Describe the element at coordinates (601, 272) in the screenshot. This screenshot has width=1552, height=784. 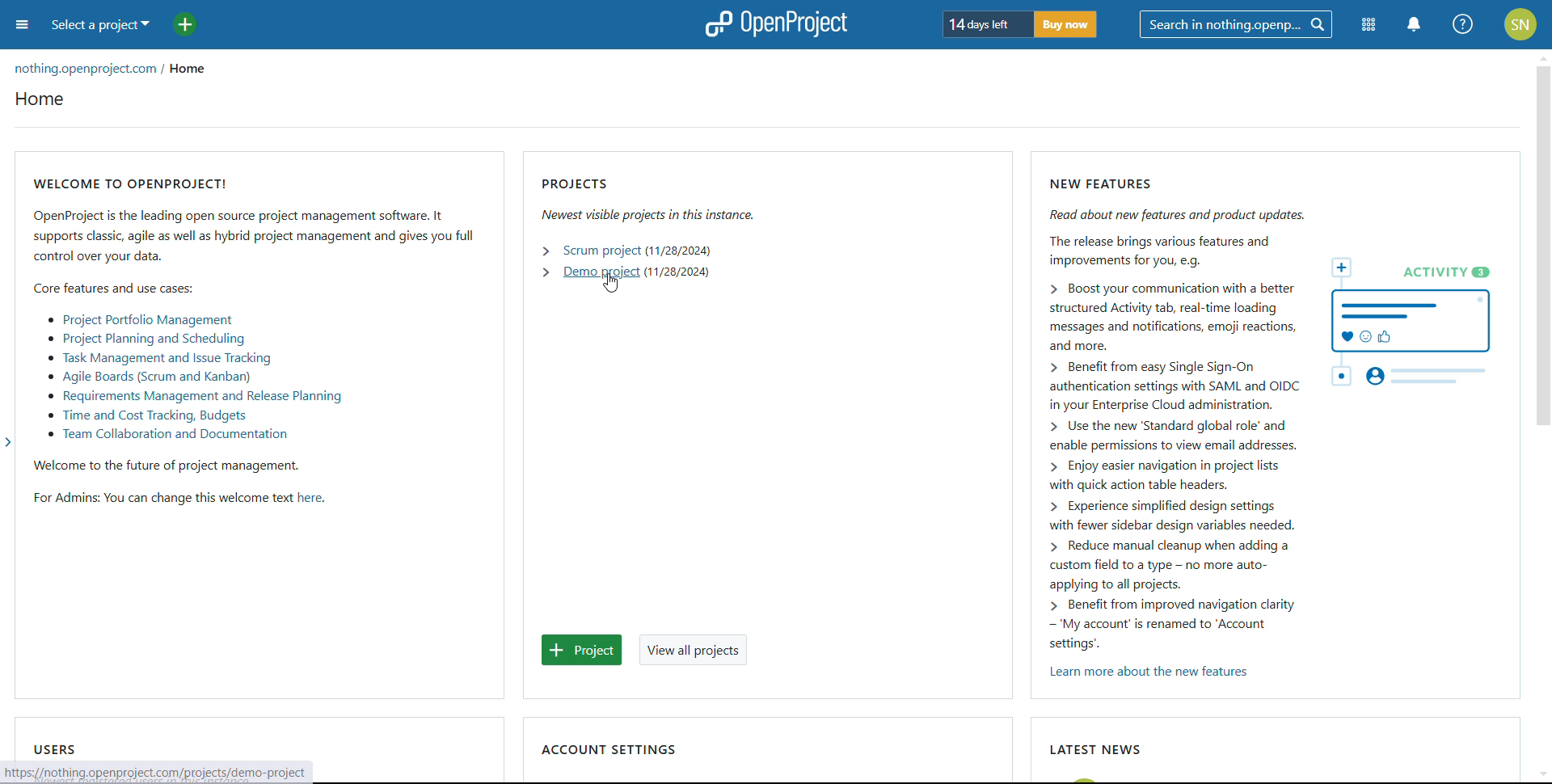
I see `demo project` at that location.